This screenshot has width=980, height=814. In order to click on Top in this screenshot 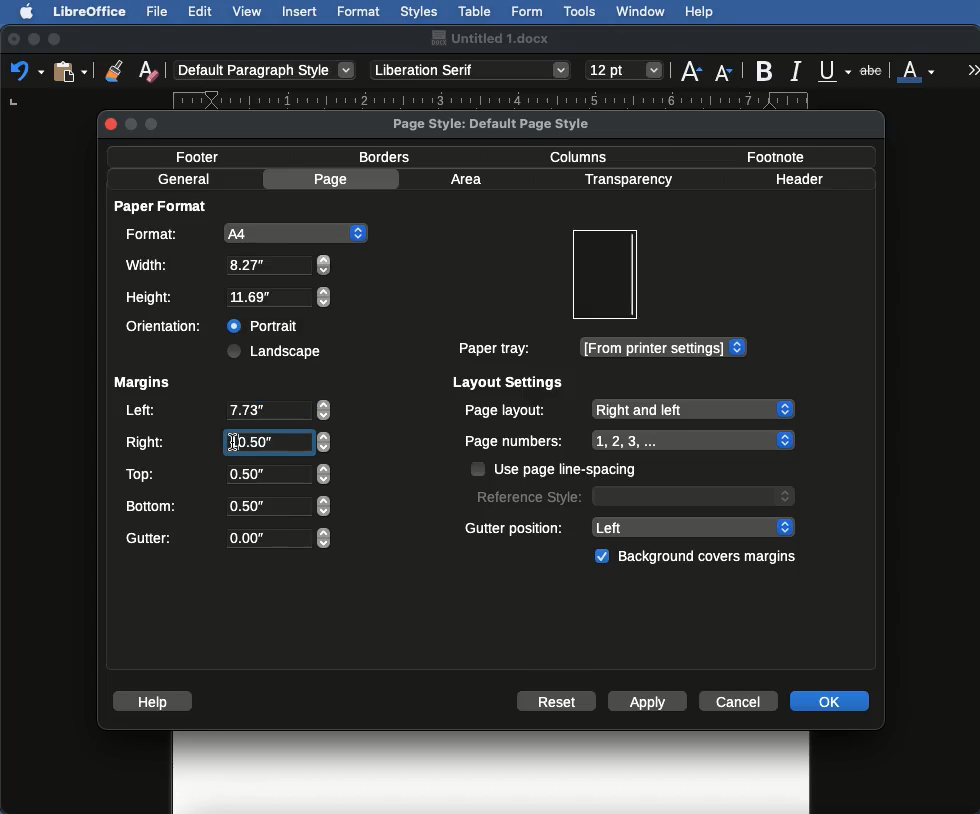, I will do `click(225, 474)`.